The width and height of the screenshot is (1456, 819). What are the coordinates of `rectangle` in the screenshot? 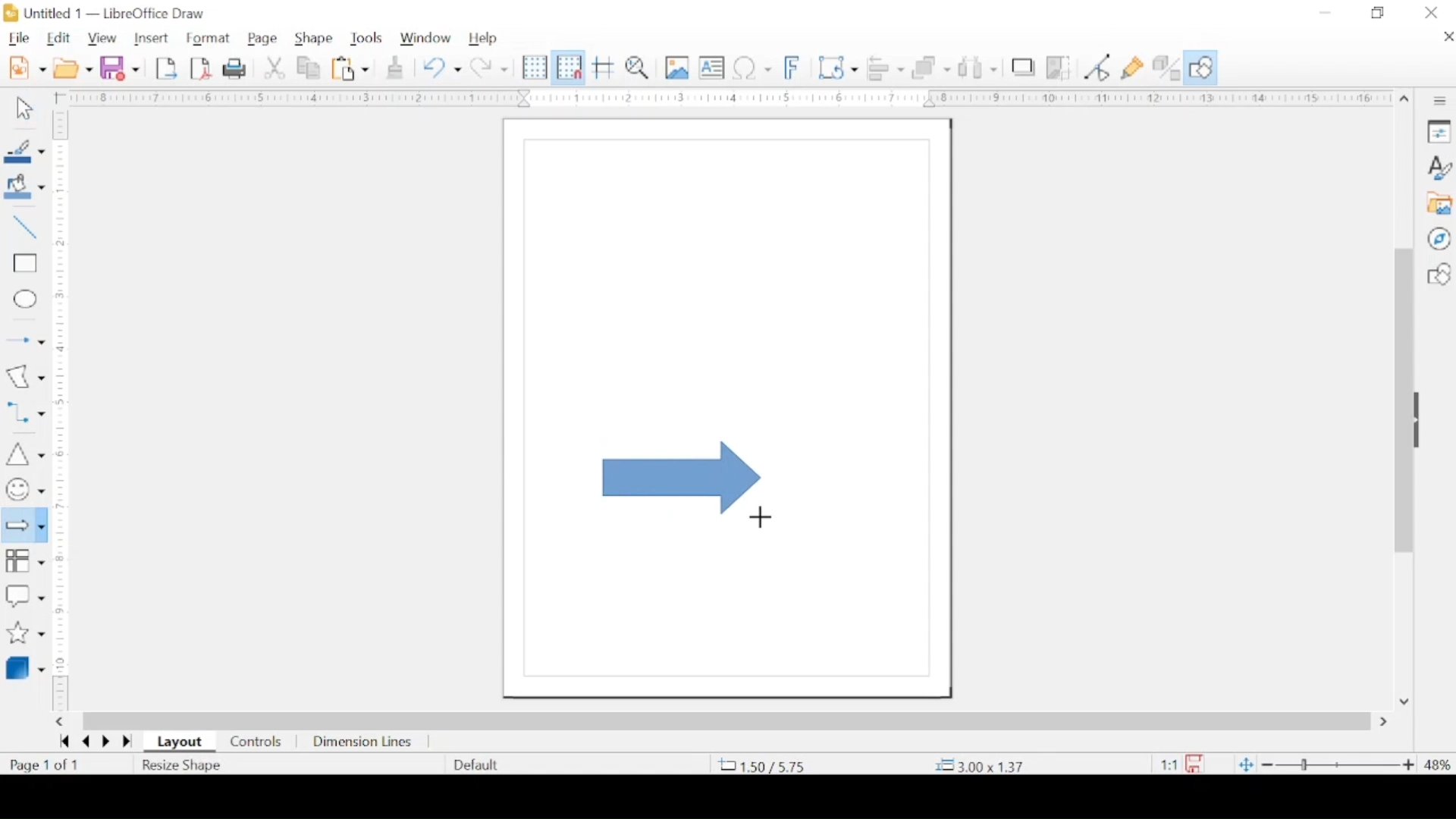 It's located at (25, 264).